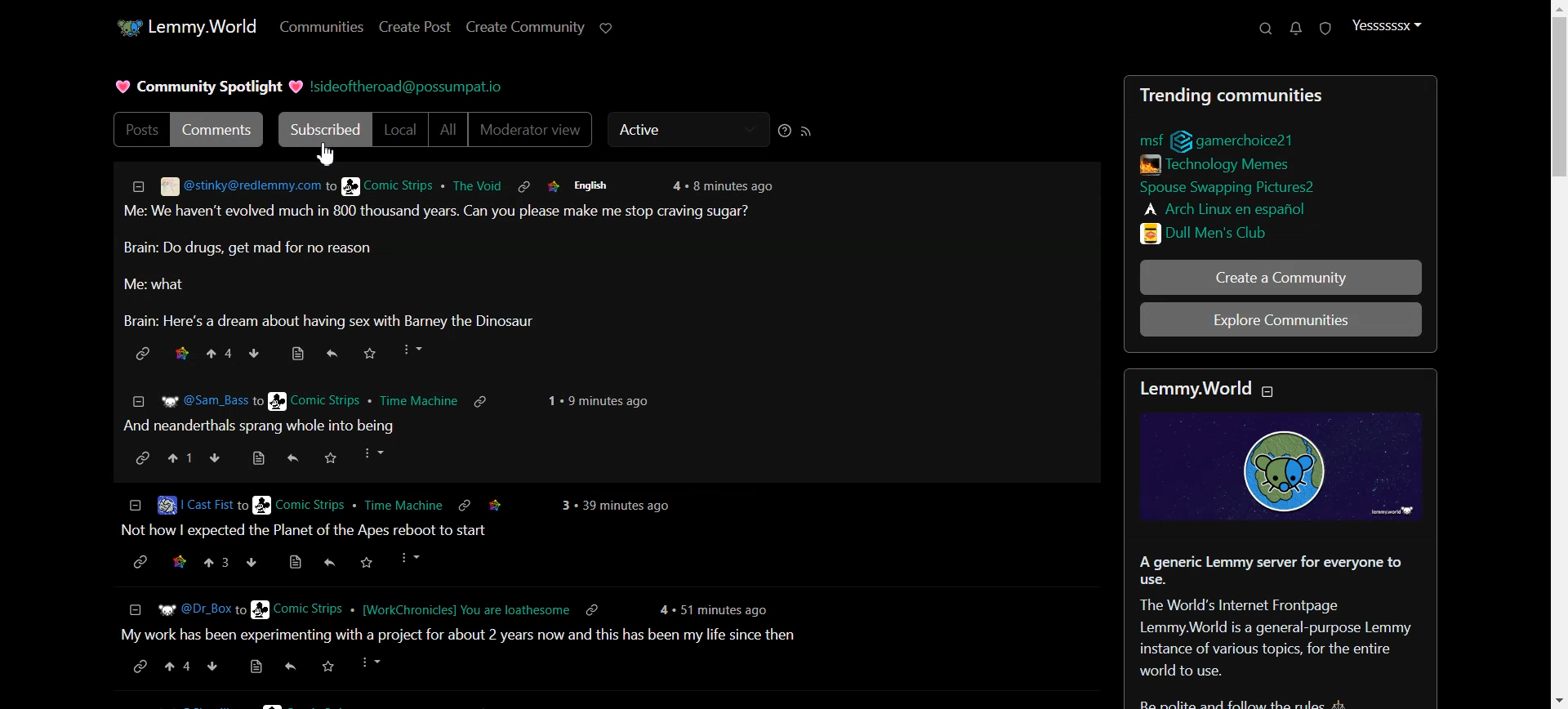 The width and height of the screenshot is (1568, 709). I want to click on Active, so click(684, 129).